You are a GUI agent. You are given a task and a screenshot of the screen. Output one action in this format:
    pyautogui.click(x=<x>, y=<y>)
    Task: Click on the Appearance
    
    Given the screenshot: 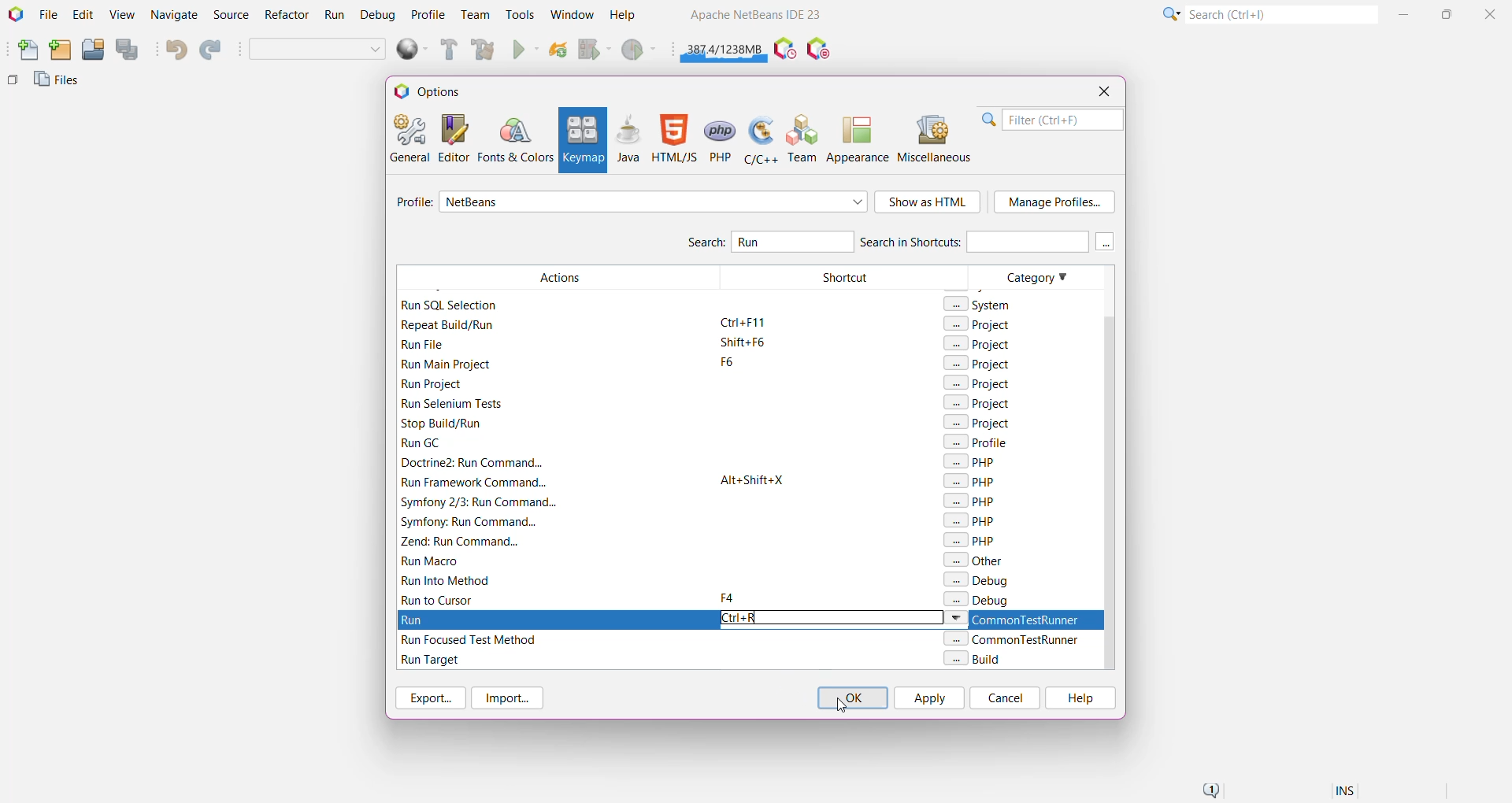 What is the action you would take?
    pyautogui.click(x=858, y=139)
    